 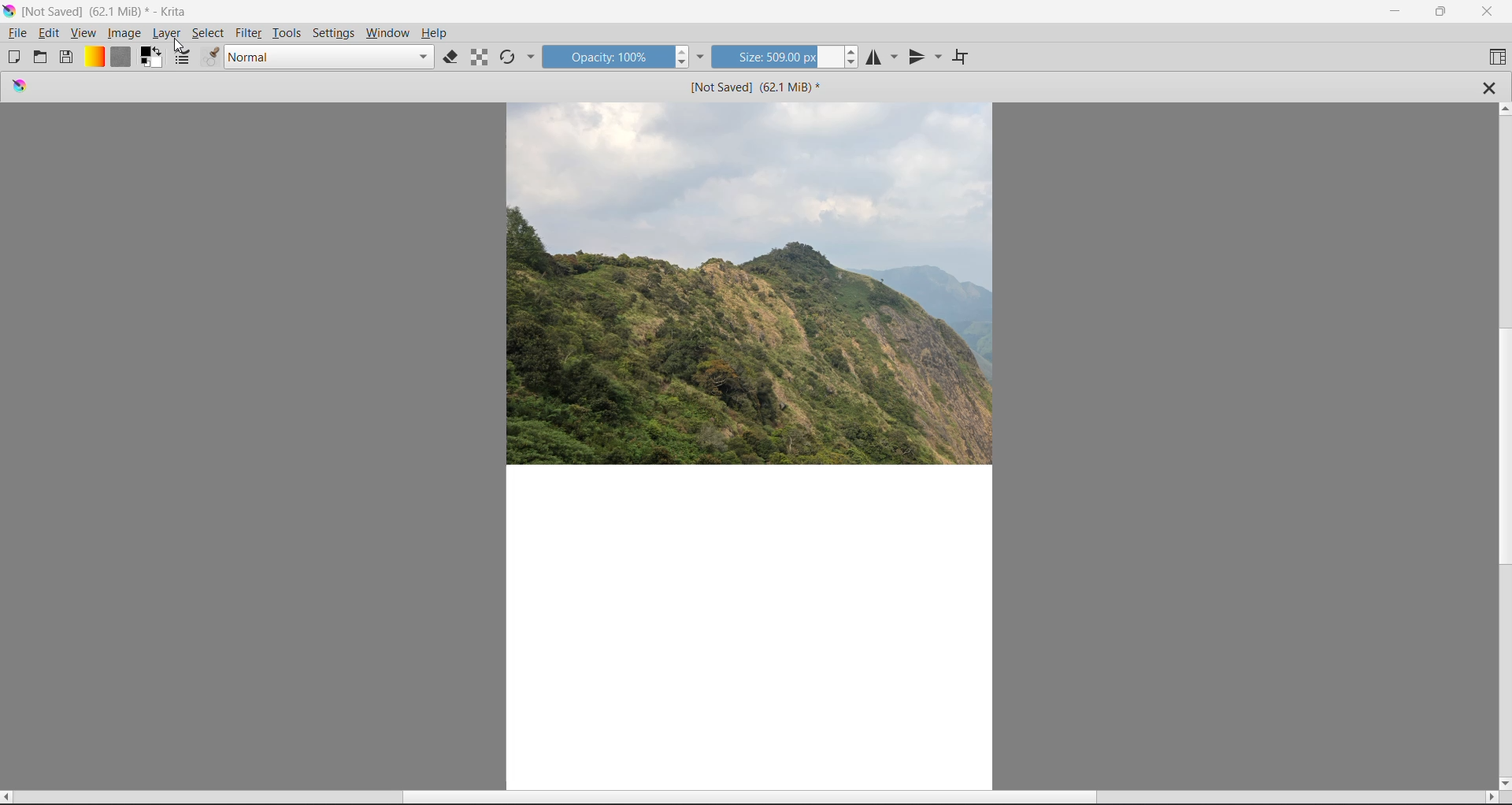 I want to click on Windows, so click(x=388, y=33).